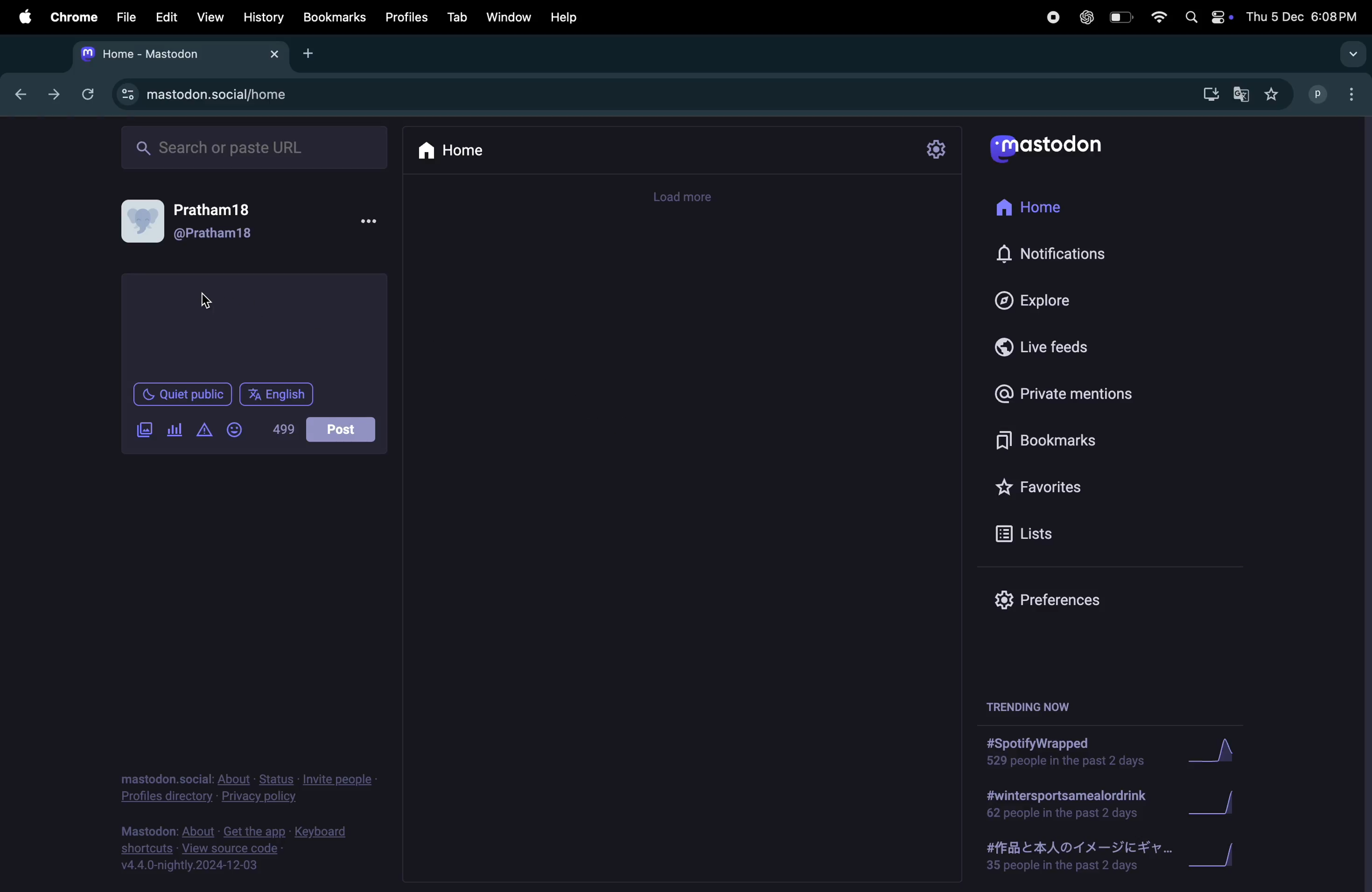  What do you see at coordinates (1213, 755) in the screenshot?
I see `graph` at bounding box center [1213, 755].